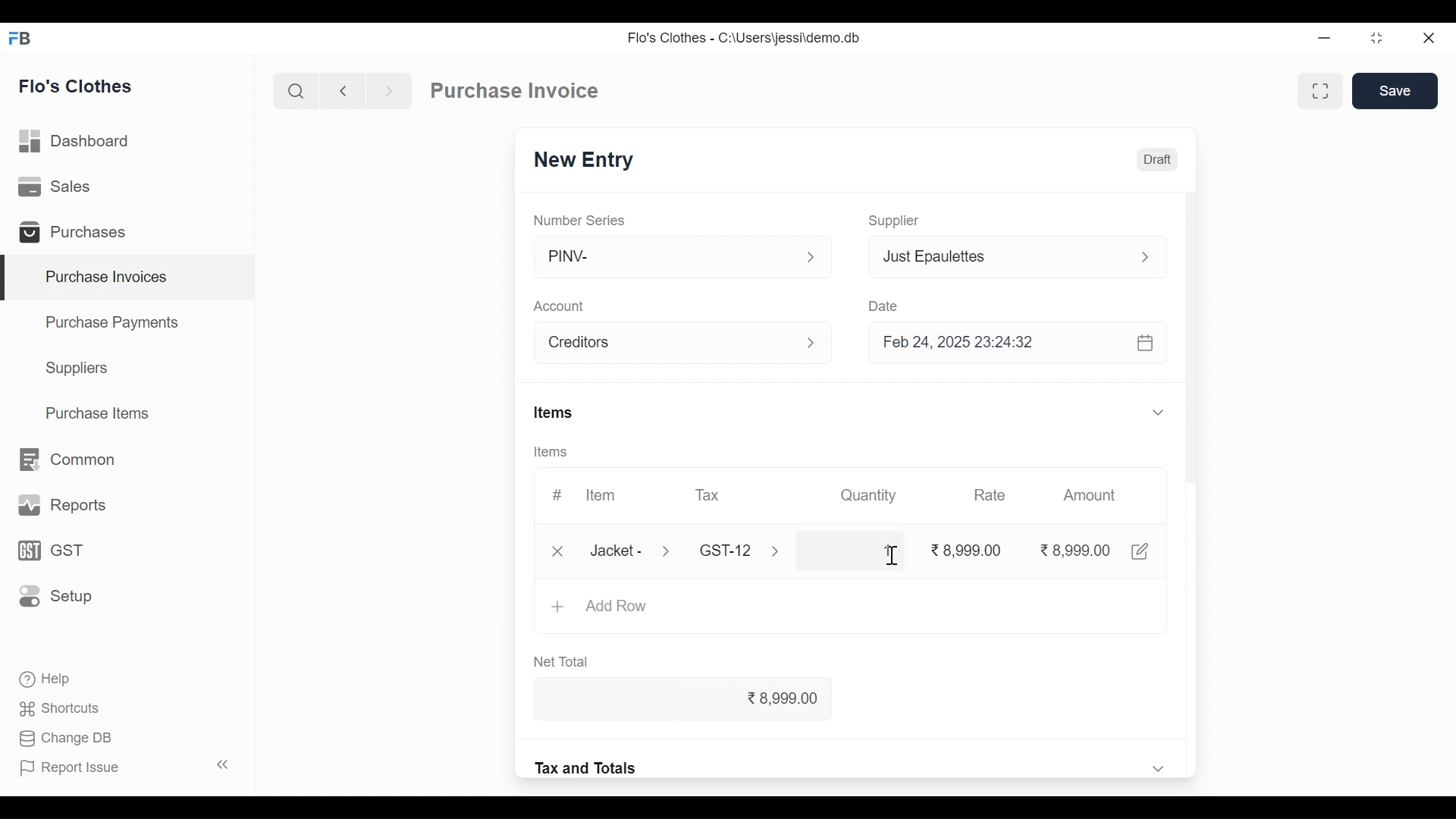 The image size is (1456, 819). I want to click on #, so click(558, 494).